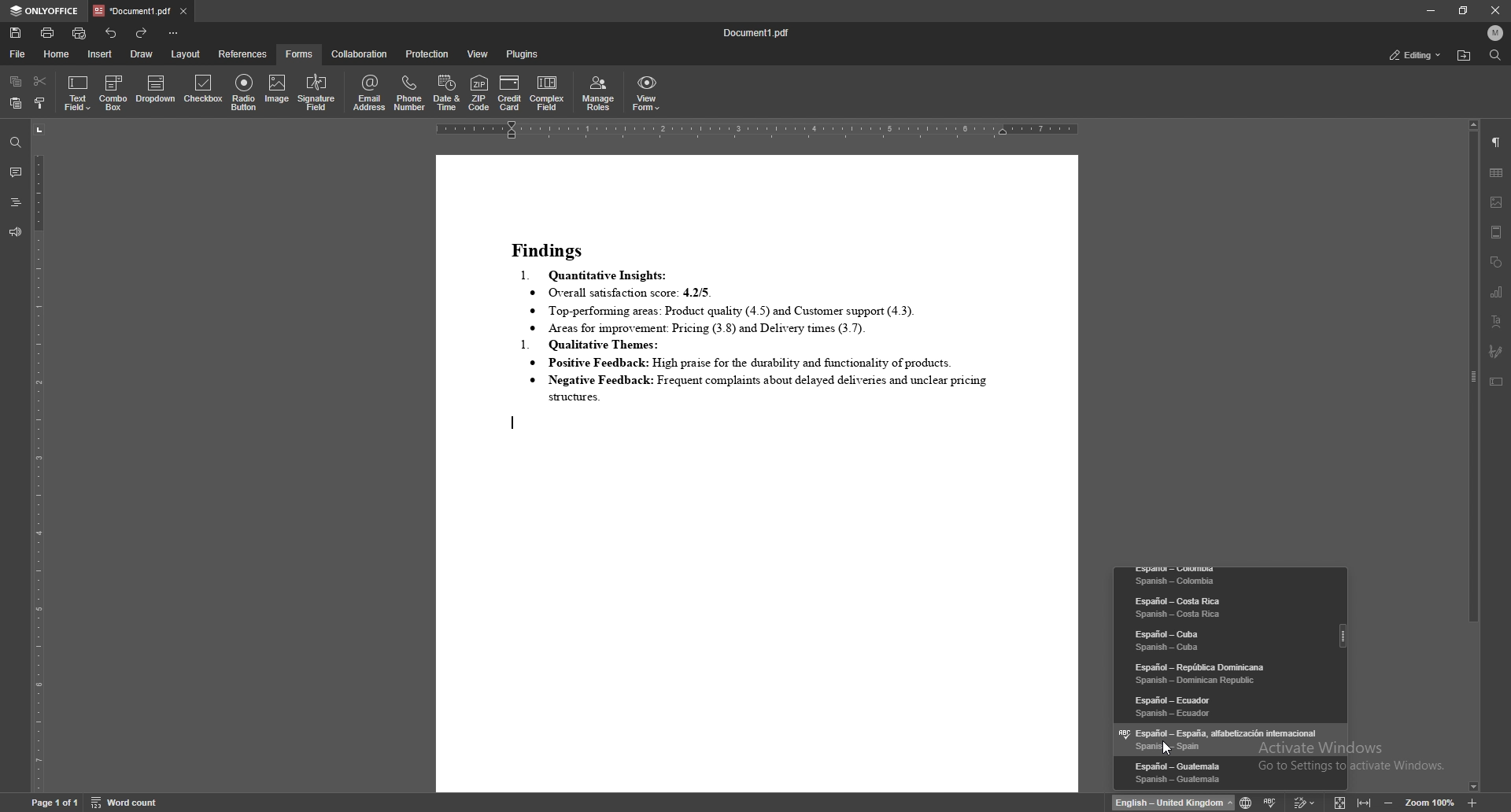  I want to click on text art, so click(1497, 321).